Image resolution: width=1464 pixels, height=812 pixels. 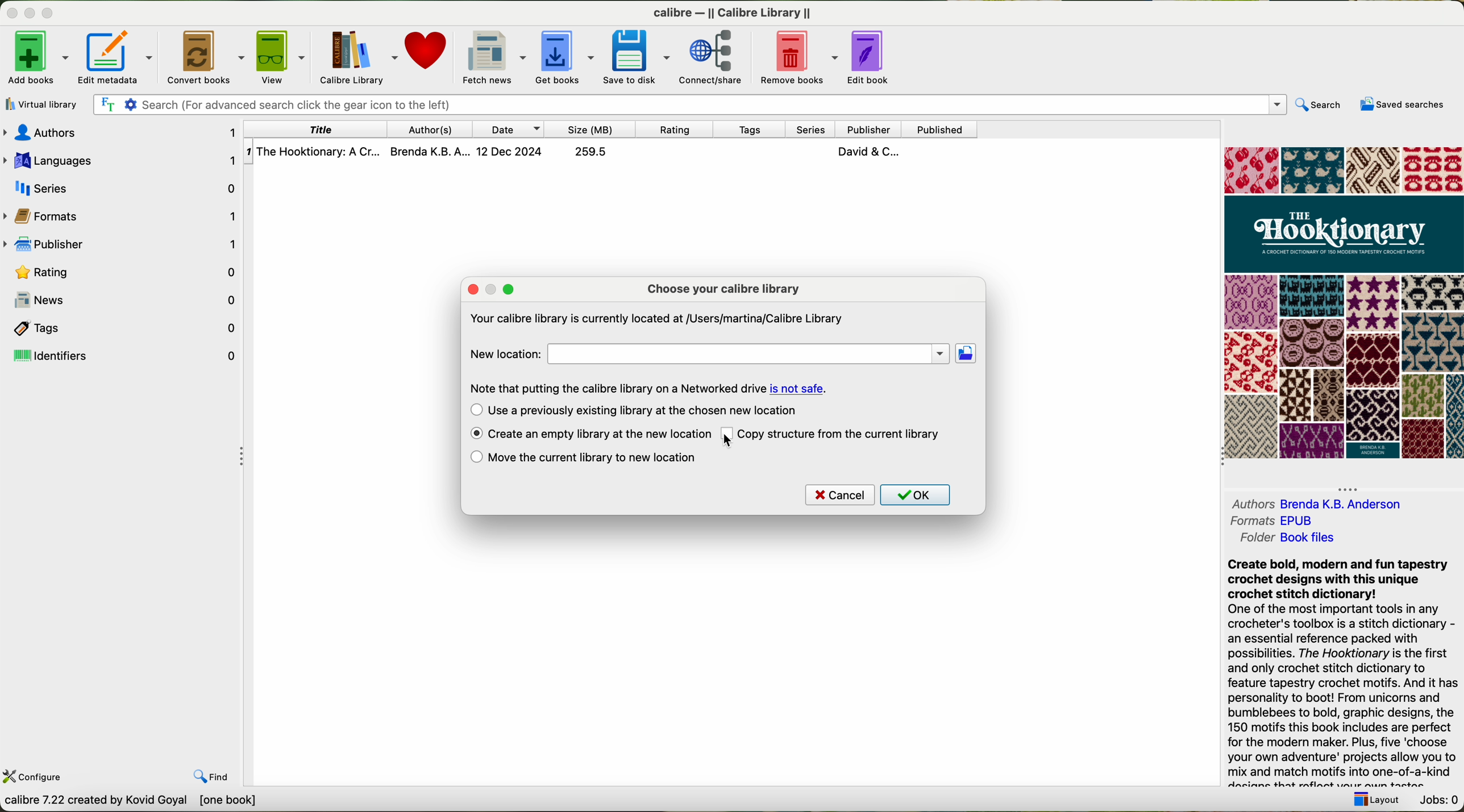 I want to click on cancel, so click(x=840, y=494).